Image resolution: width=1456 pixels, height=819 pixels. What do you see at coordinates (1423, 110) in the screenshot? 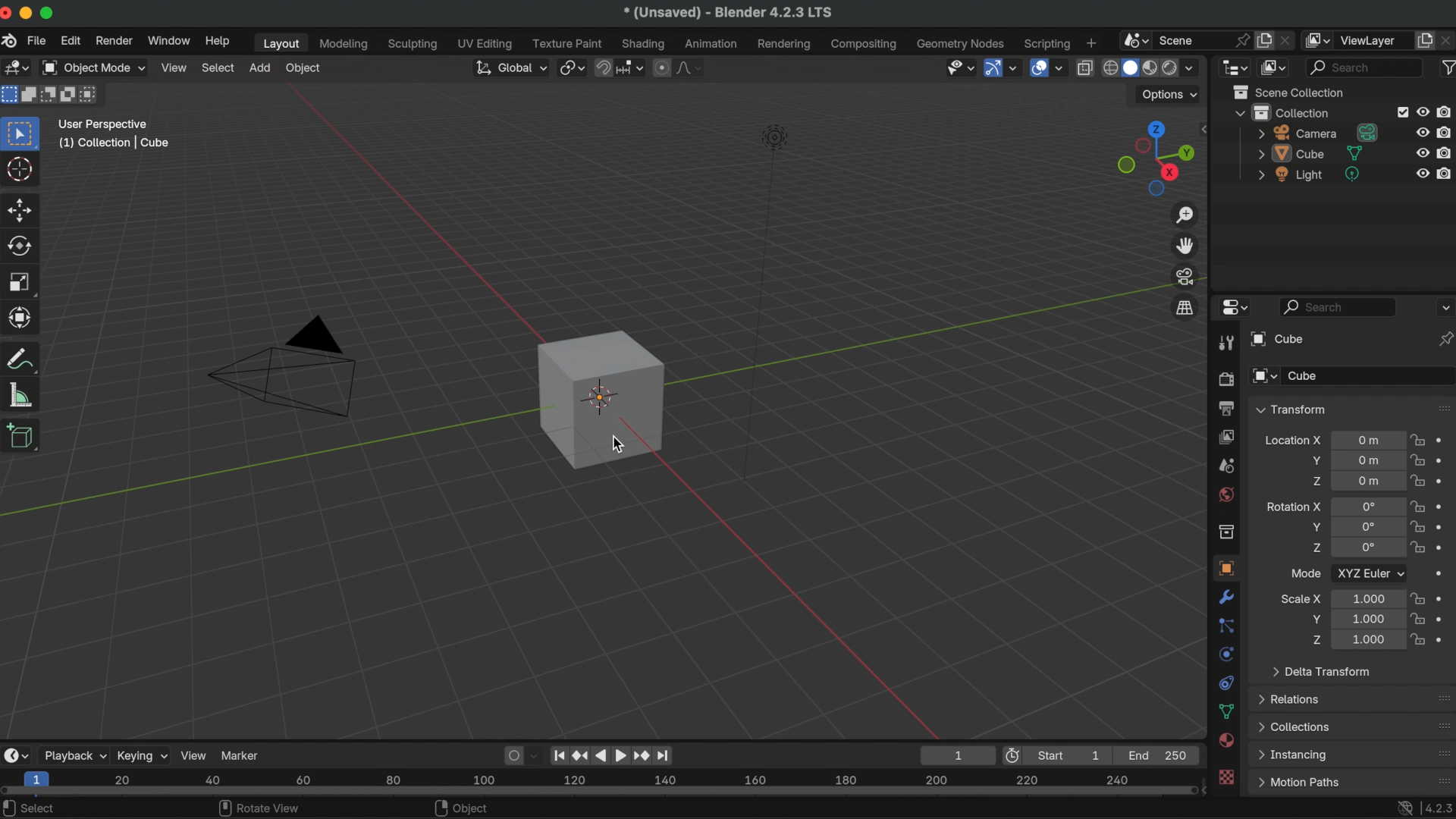
I see `hide in viewport` at bounding box center [1423, 110].